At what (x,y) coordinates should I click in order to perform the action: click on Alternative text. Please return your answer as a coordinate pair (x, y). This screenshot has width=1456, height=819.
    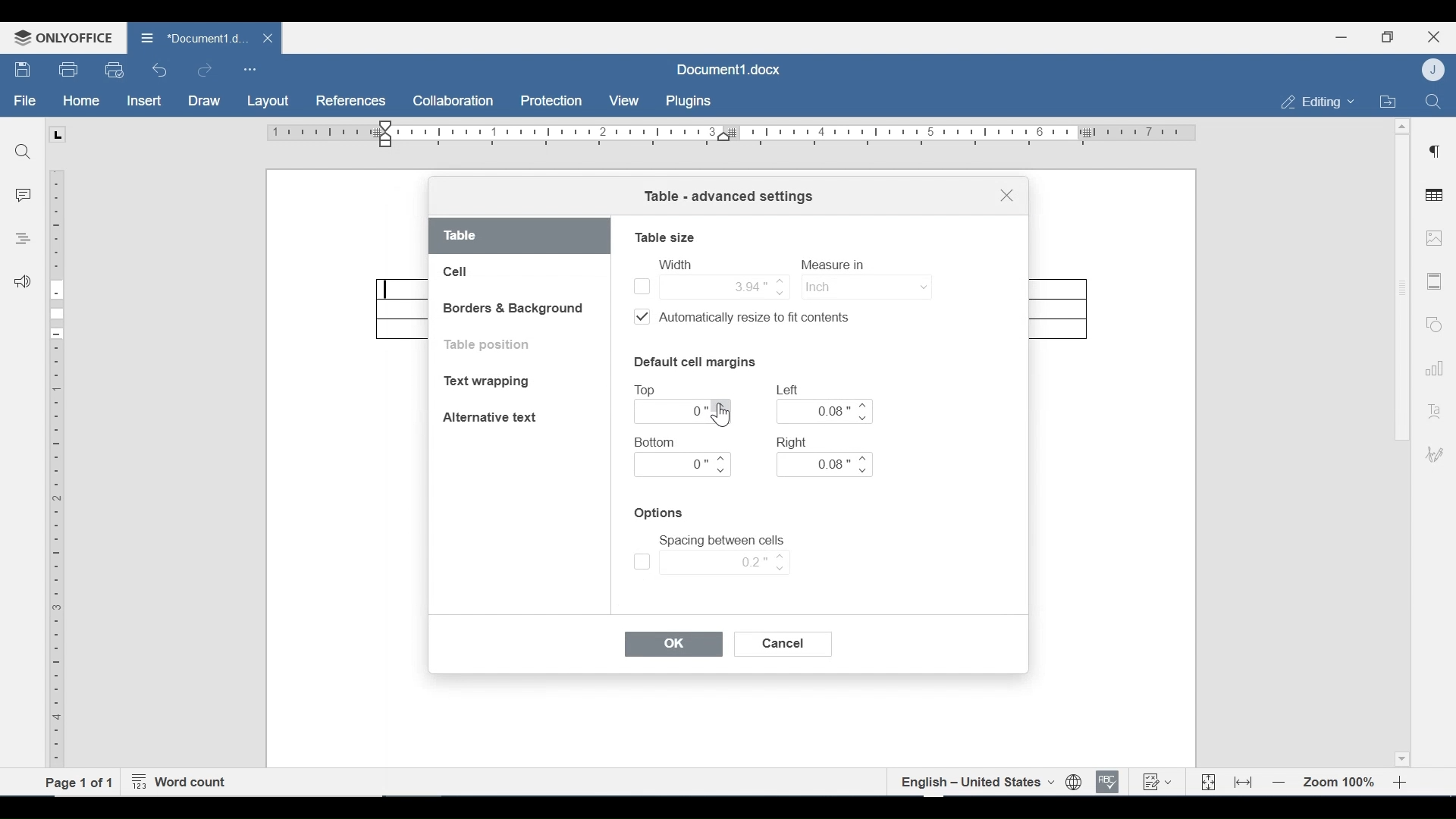
    Looking at the image, I should click on (490, 417).